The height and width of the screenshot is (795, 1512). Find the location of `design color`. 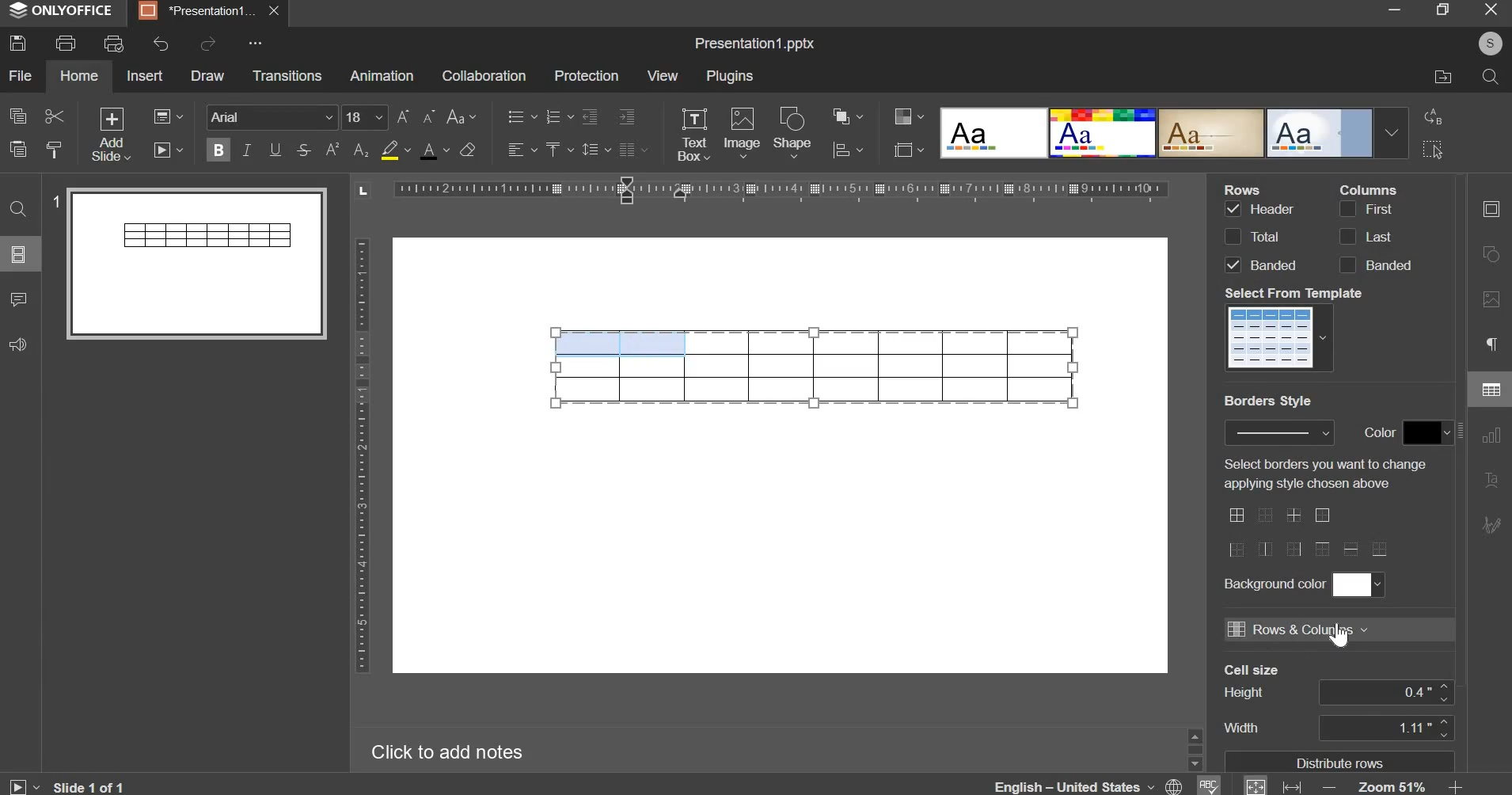

design color is located at coordinates (906, 116).